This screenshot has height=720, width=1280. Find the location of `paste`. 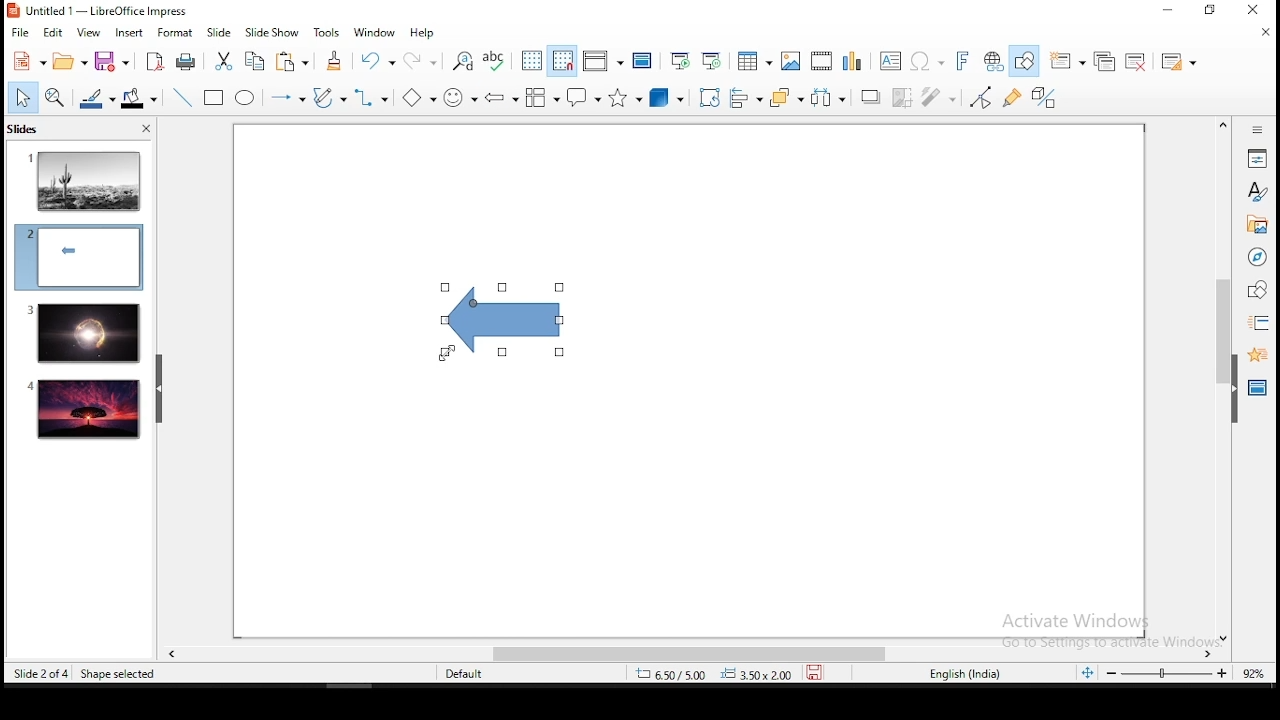

paste is located at coordinates (295, 61).